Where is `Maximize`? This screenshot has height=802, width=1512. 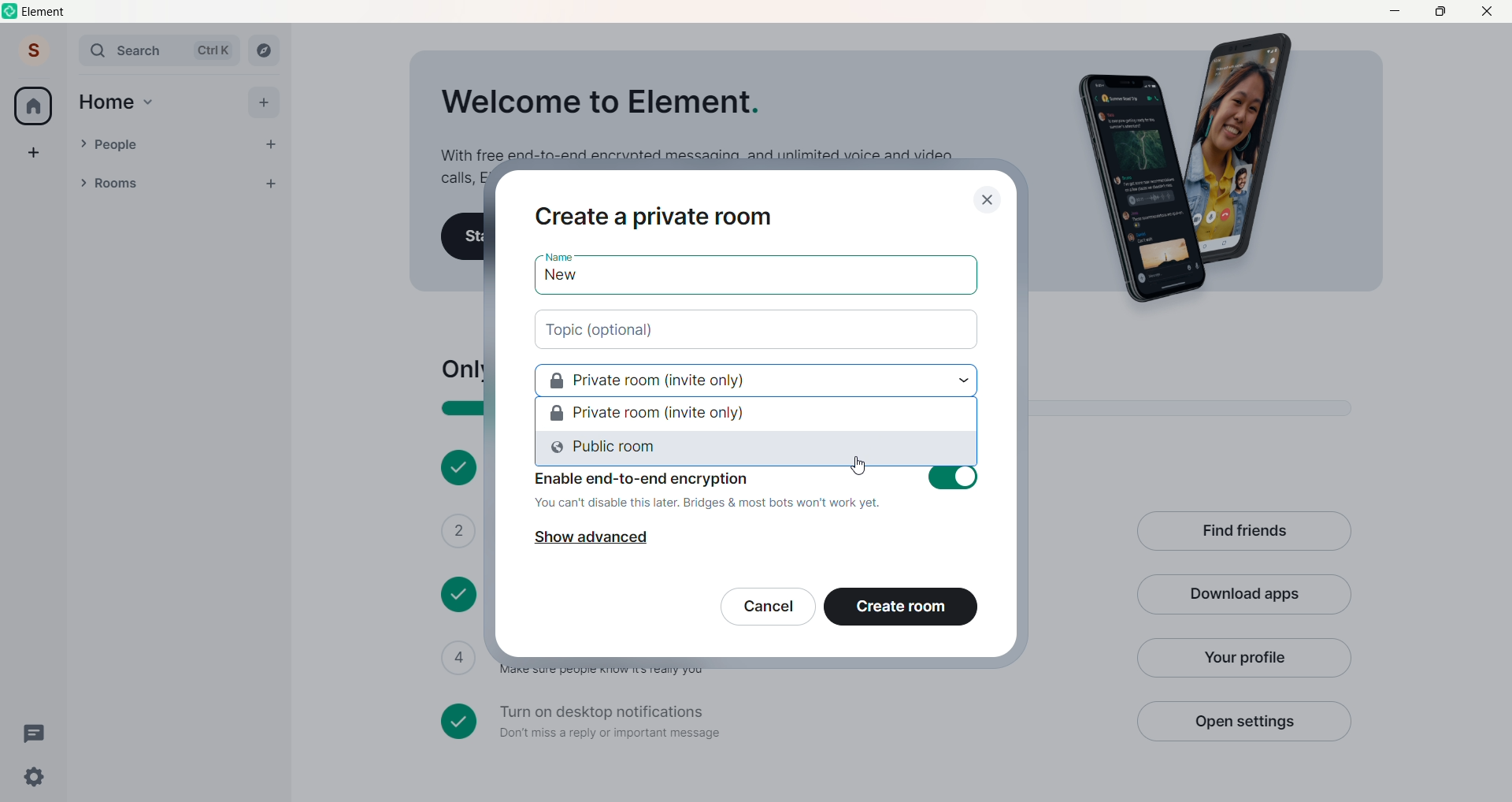
Maximize is located at coordinates (1440, 10).